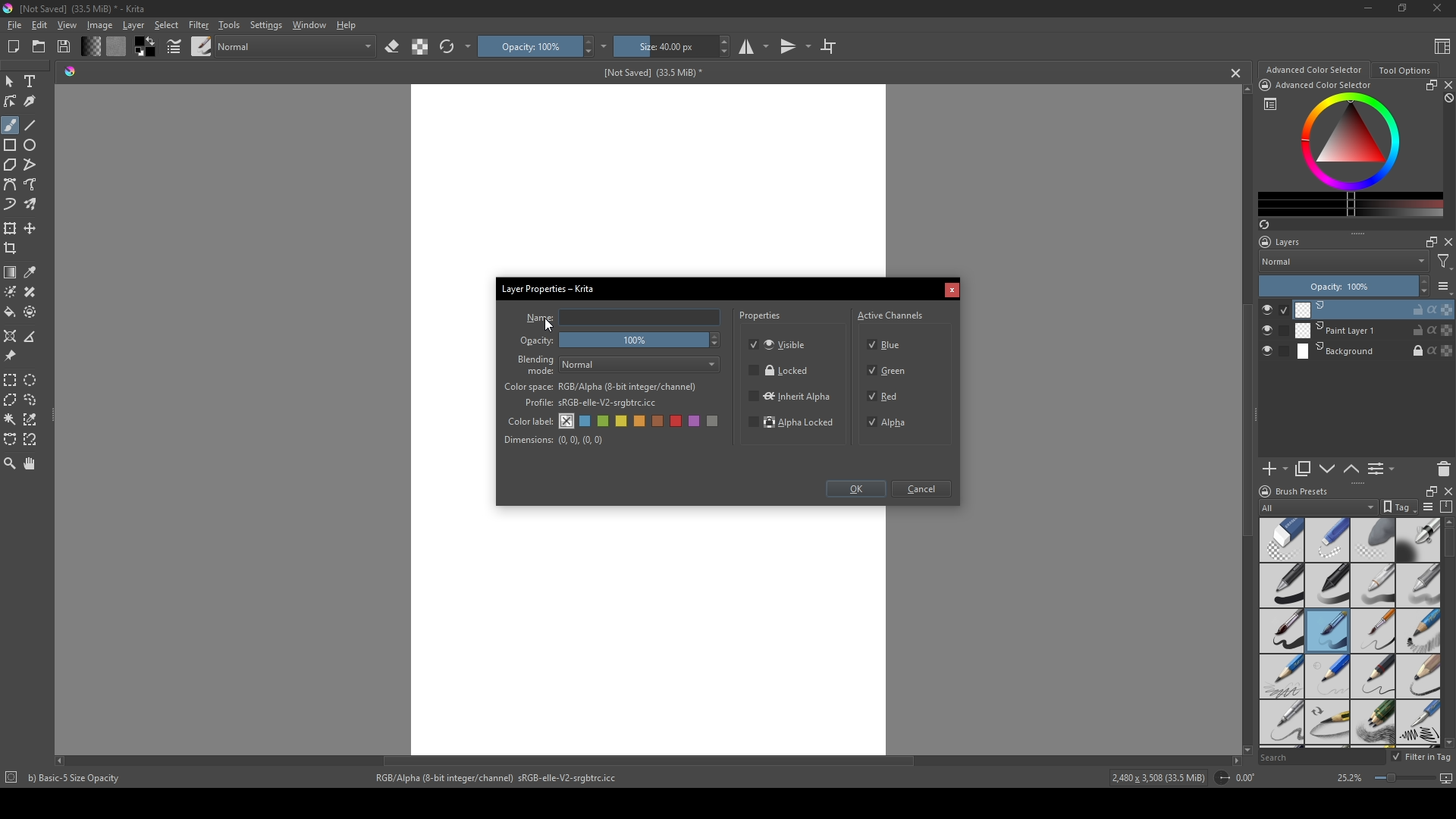 This screenshot has height=819, width=1456. What do you see at coordinates (1236, 761) in the screenshot?
I see `scroll right` at bounding box center [1236, 761].